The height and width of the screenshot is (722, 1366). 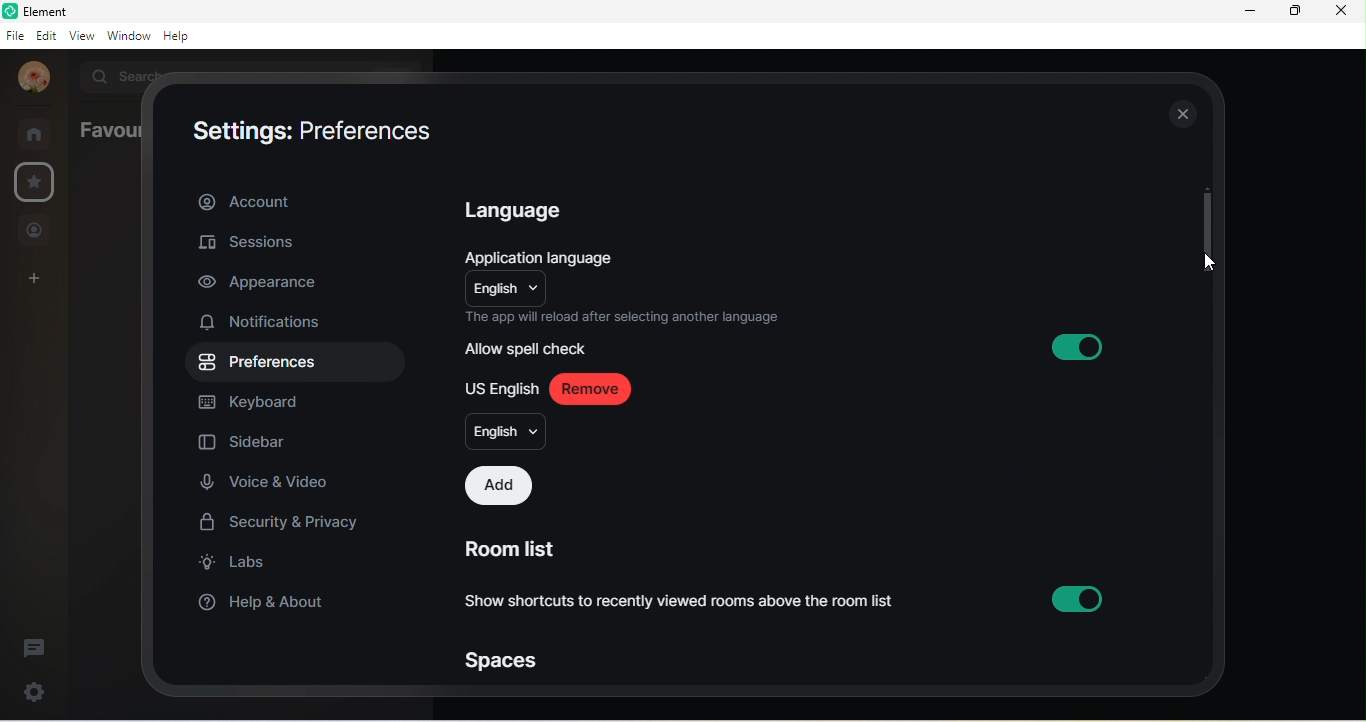 What do you see at coordinates (30, 78) in the screenshot?
I see `profile photo` at bounding box center [30, 78].